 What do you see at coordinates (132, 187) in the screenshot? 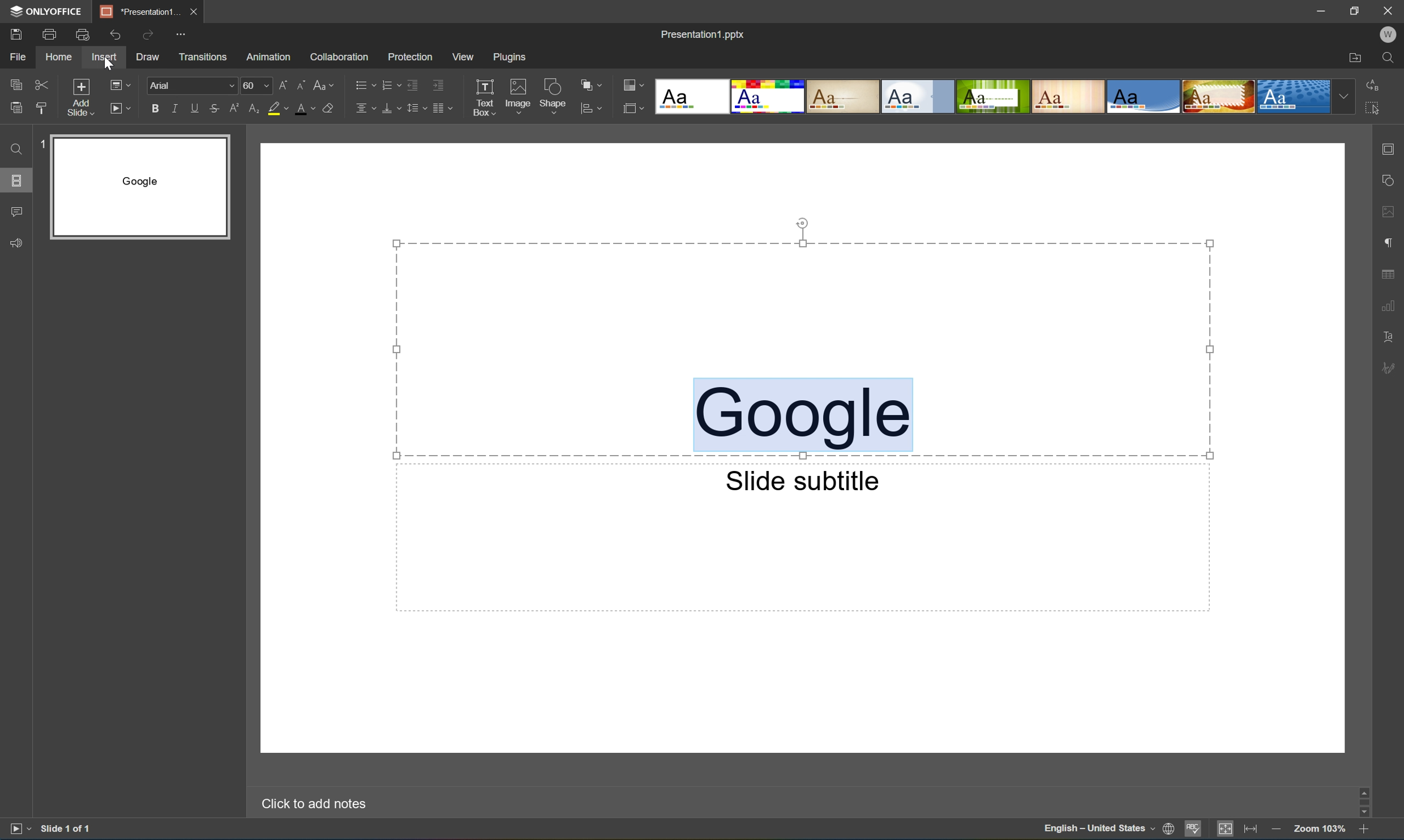
I see `Slide 1` at bounding box center [132, 187].